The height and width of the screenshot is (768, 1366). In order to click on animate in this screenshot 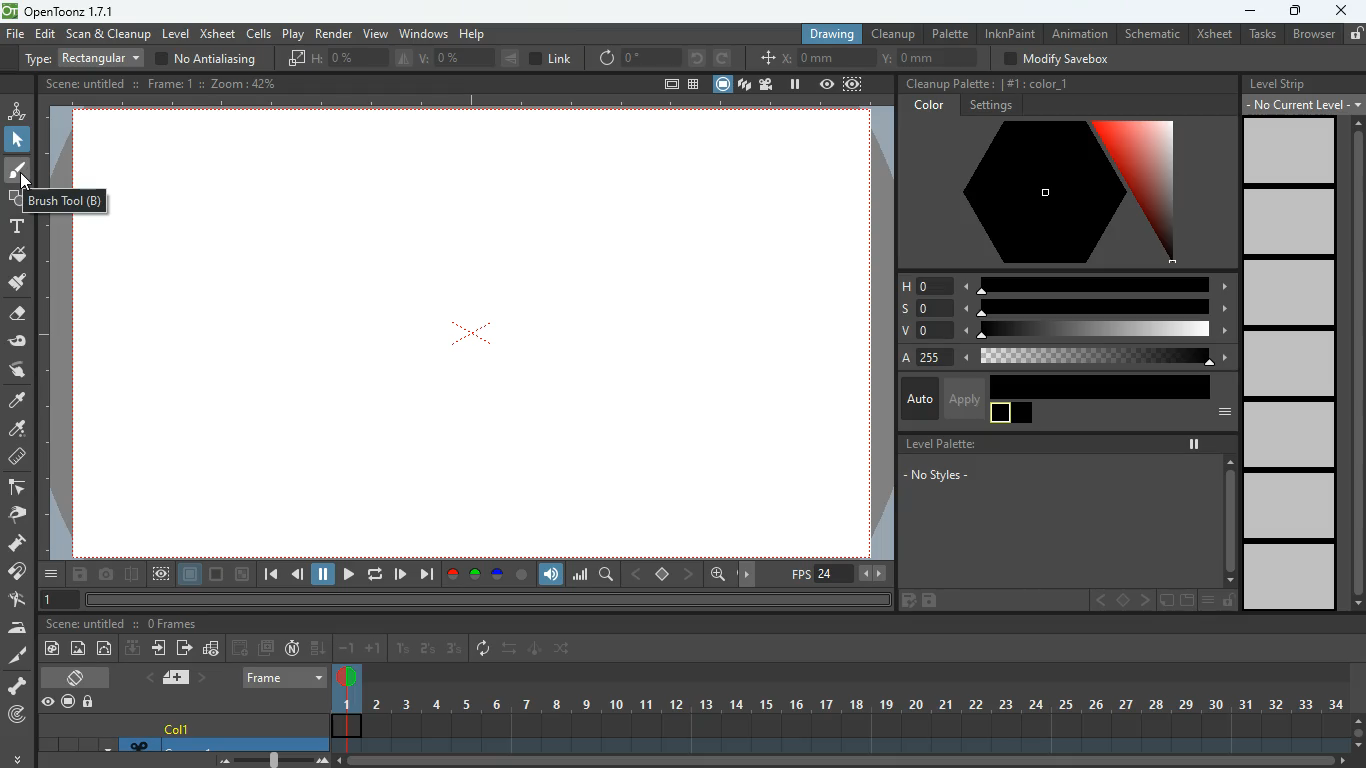, I will do `click(536, 650)`.